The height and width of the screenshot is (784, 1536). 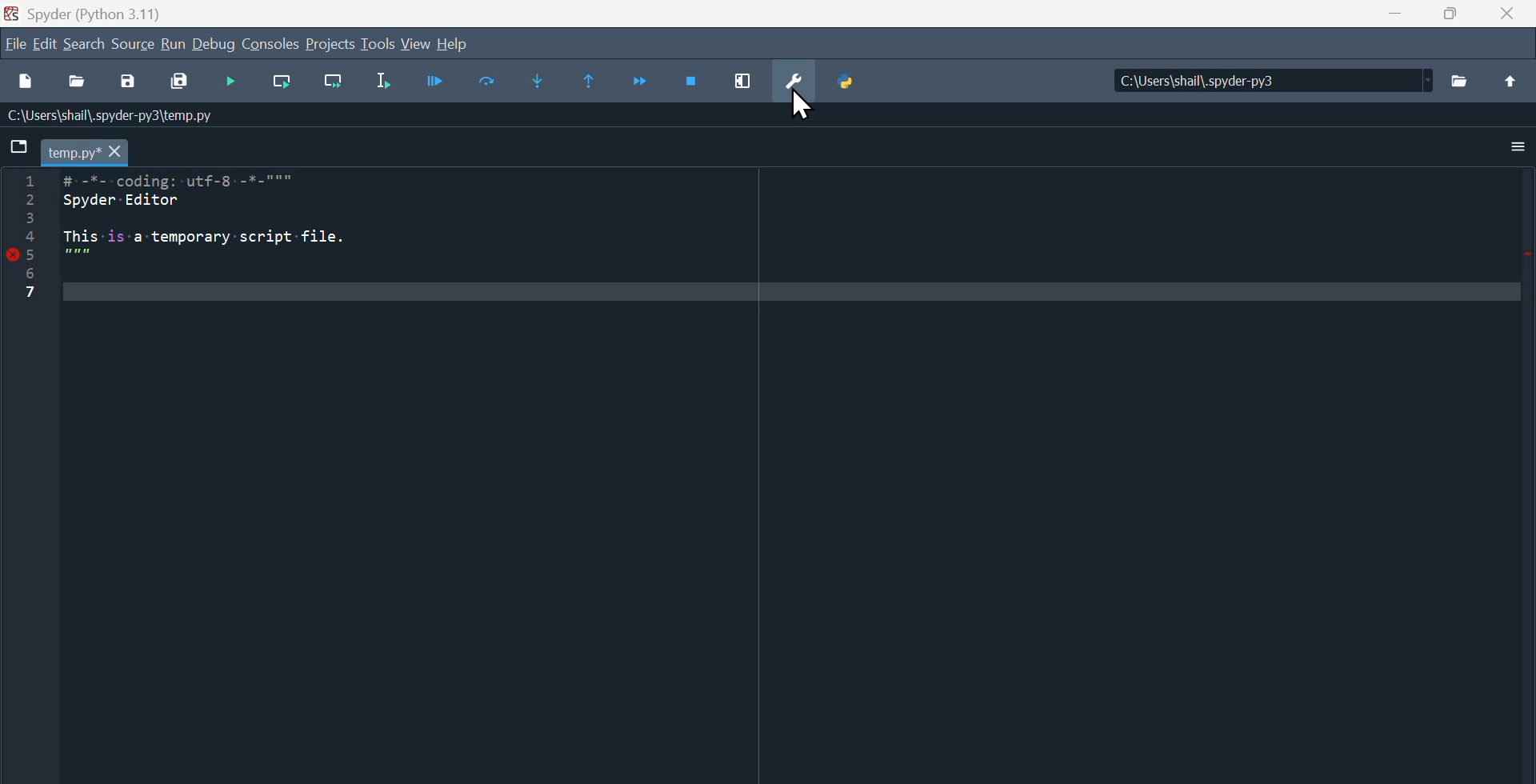 What do you see at coordinates (248, 238) in the screenshot?
I see `Code - # -*- coding: utf-8 -*-""" Spyder Editor This is a temporary script file` at bounding box center [248, 238].